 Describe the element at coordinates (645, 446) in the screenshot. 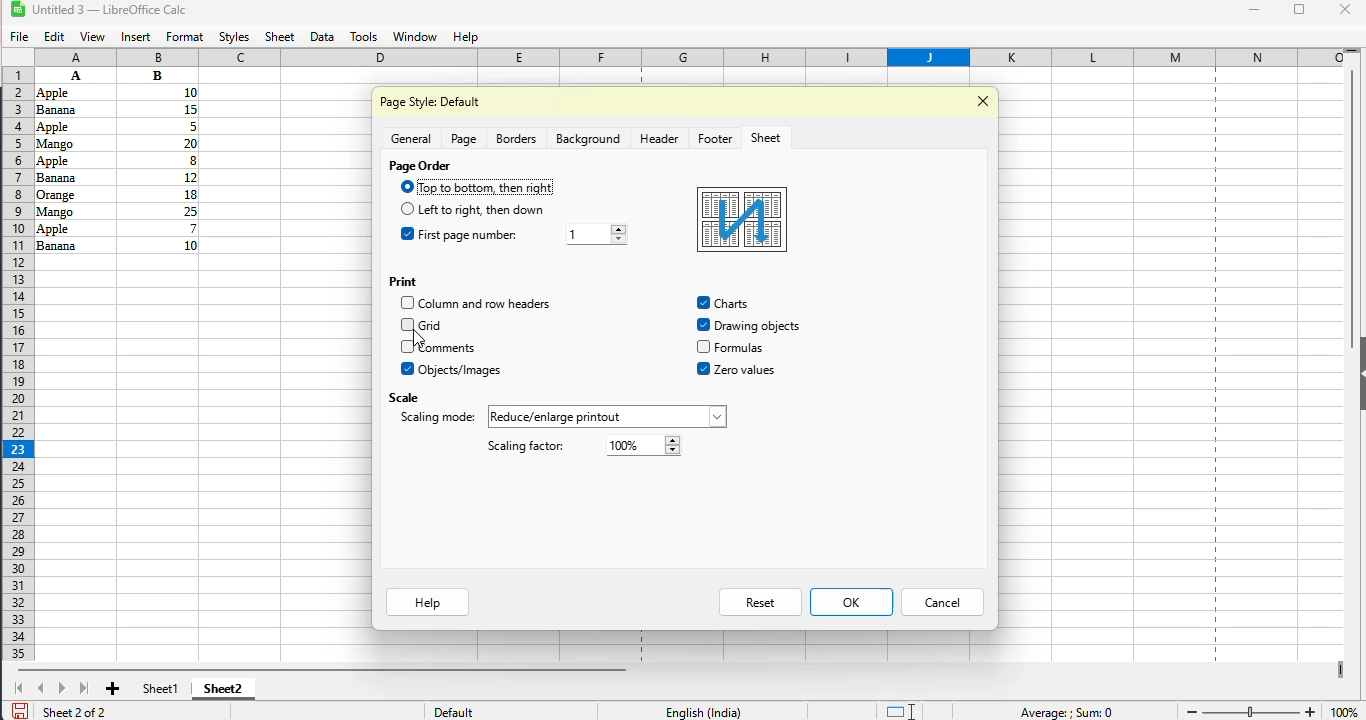

I see `` at that location.